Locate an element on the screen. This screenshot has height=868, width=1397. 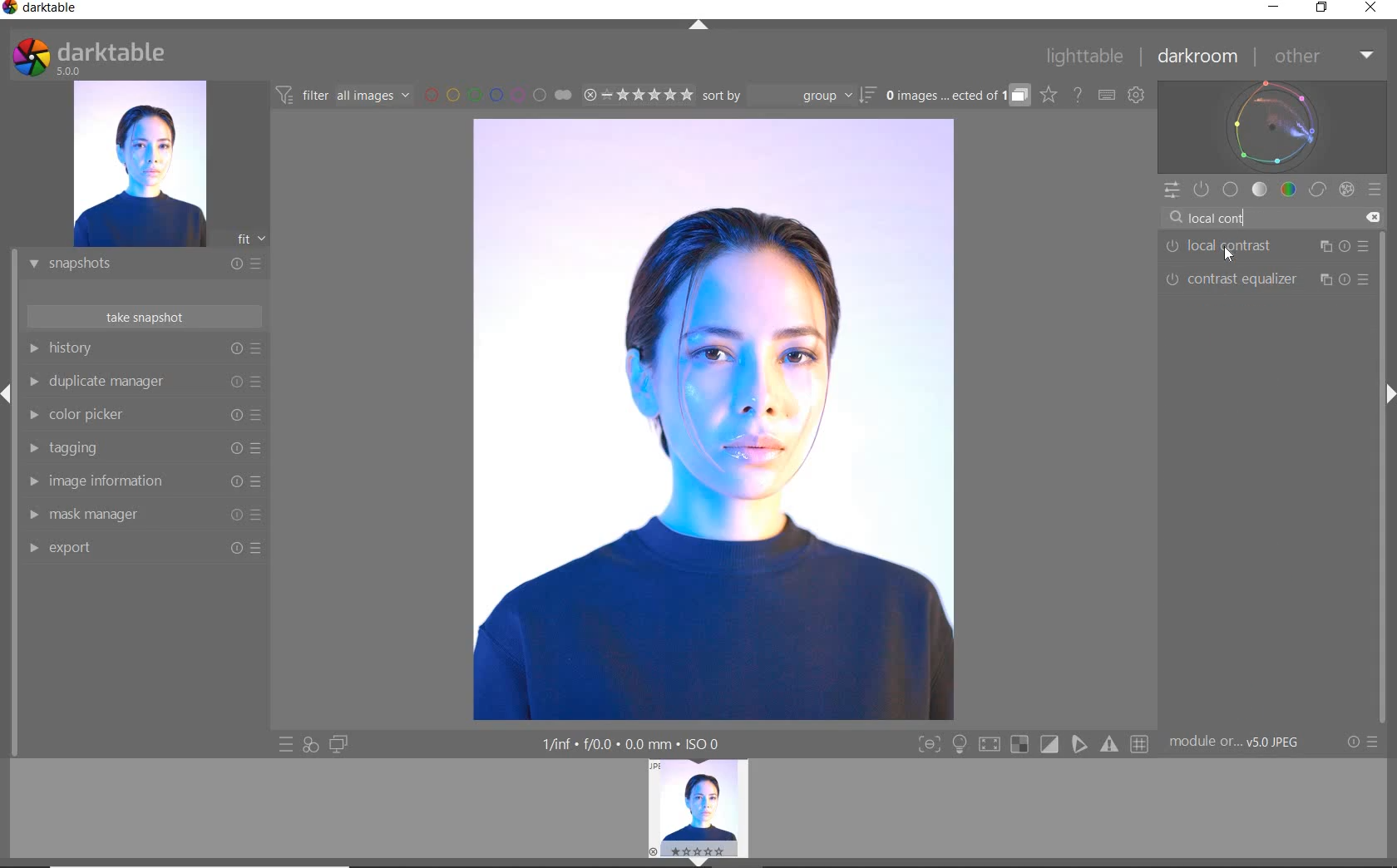
DISPLAY A SECOND DARKROOM IMAGE WINDOW is located at coordinates (338, 744).